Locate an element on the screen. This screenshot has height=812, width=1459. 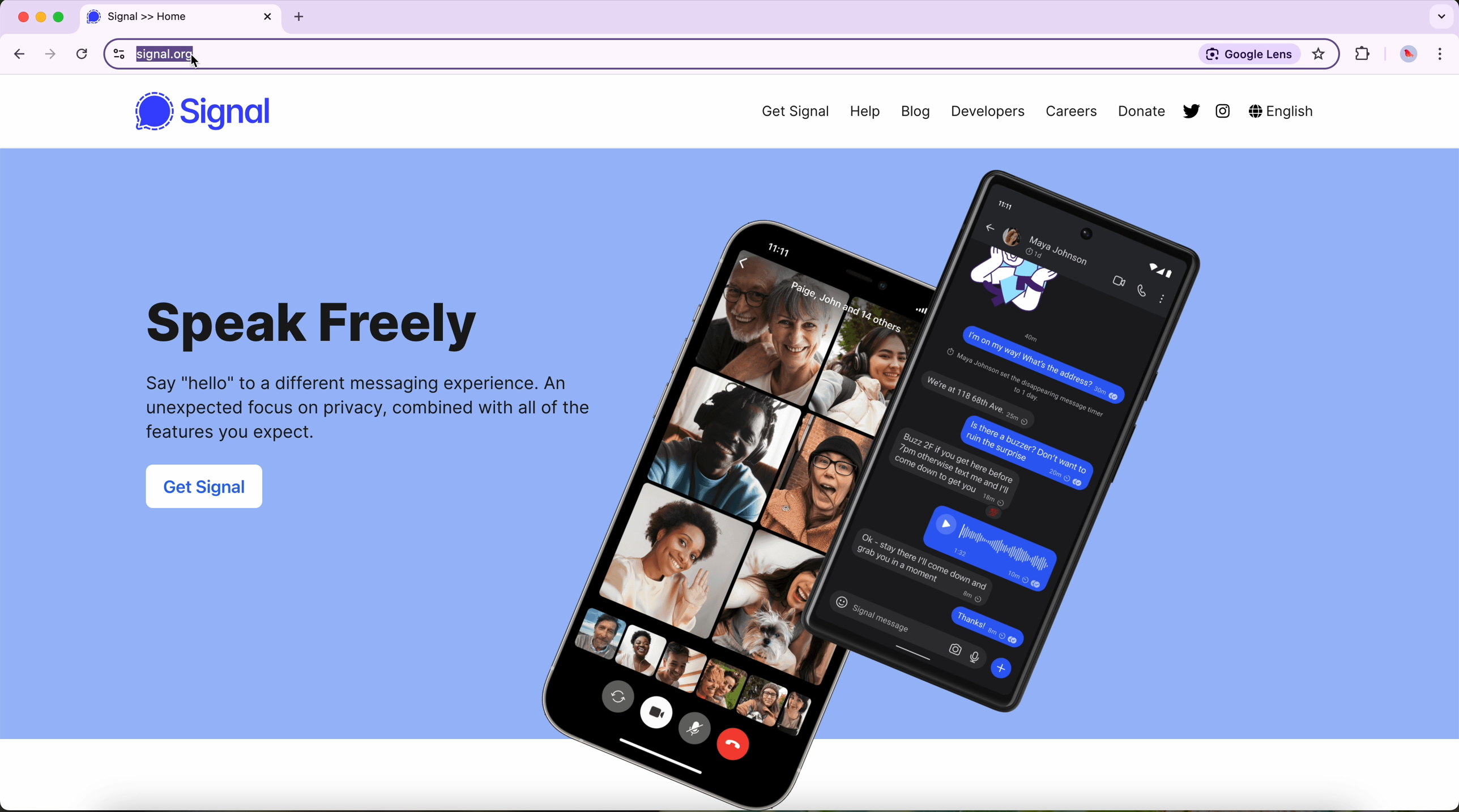
Google Lens is located at coordinates (1248, 54).